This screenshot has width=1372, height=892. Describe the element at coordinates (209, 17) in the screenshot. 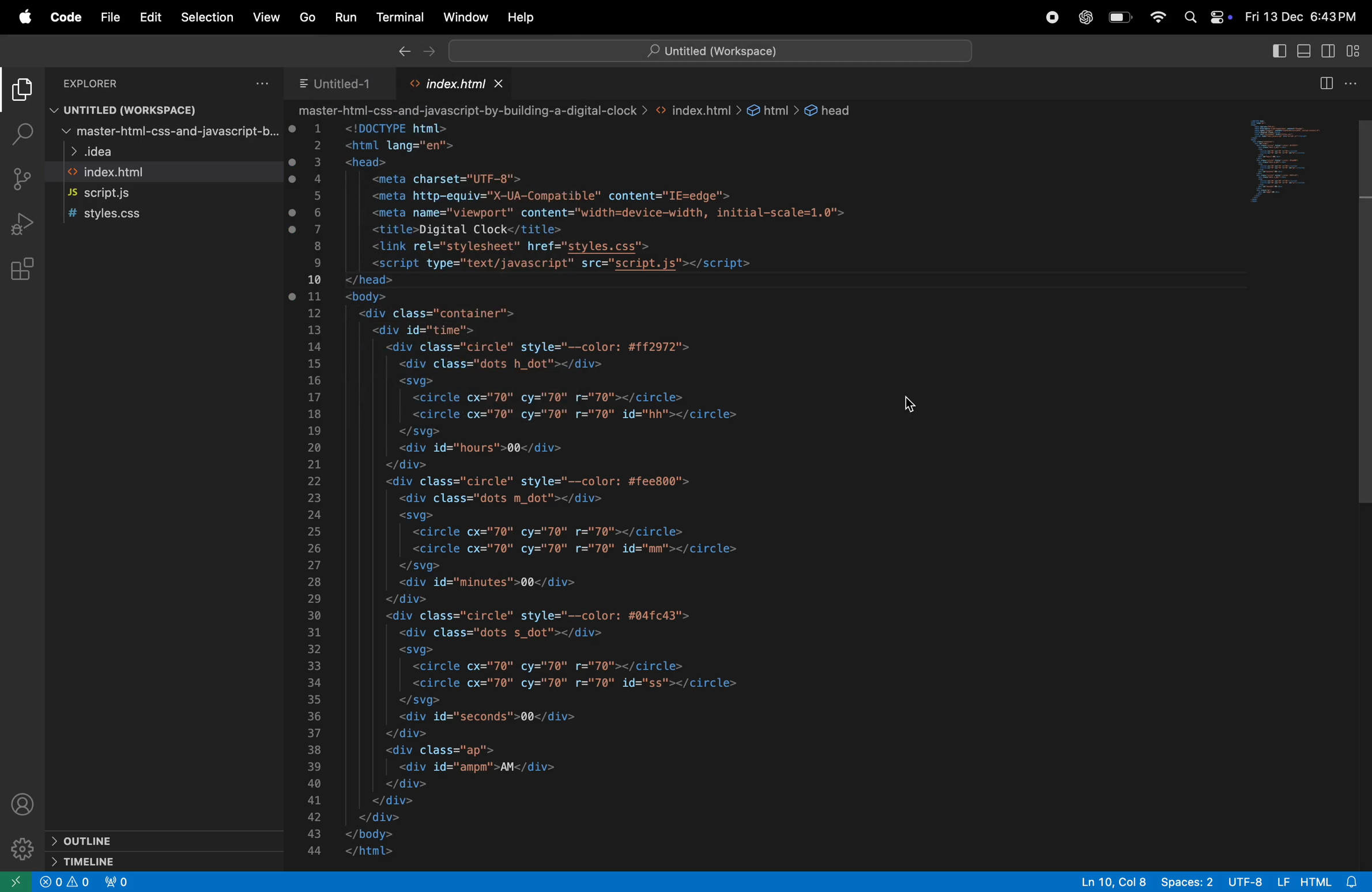

I see `Selection` at that location.